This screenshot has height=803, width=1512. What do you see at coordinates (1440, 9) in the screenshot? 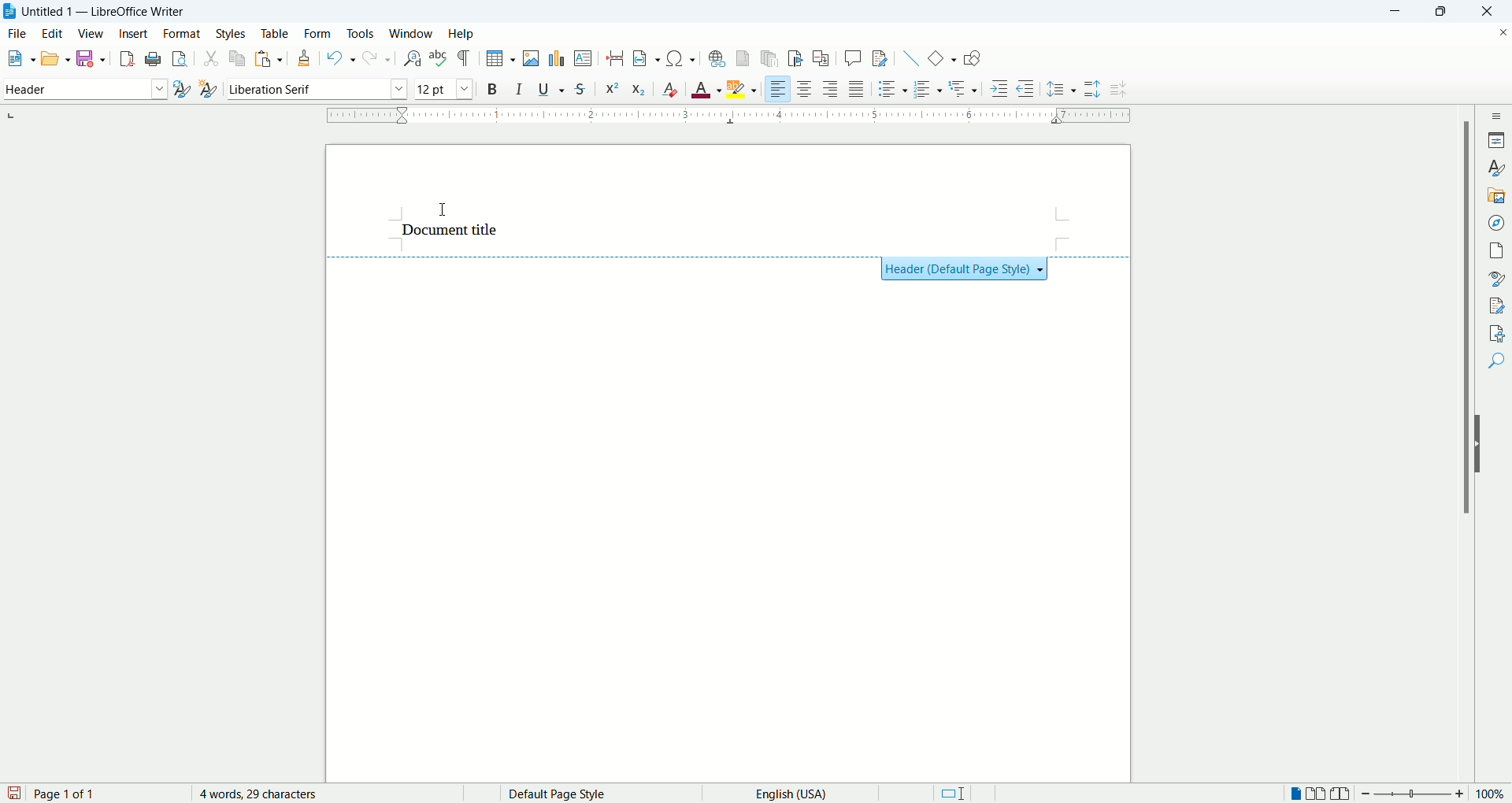
I see `maximize` at bounding box center [1440, 9].